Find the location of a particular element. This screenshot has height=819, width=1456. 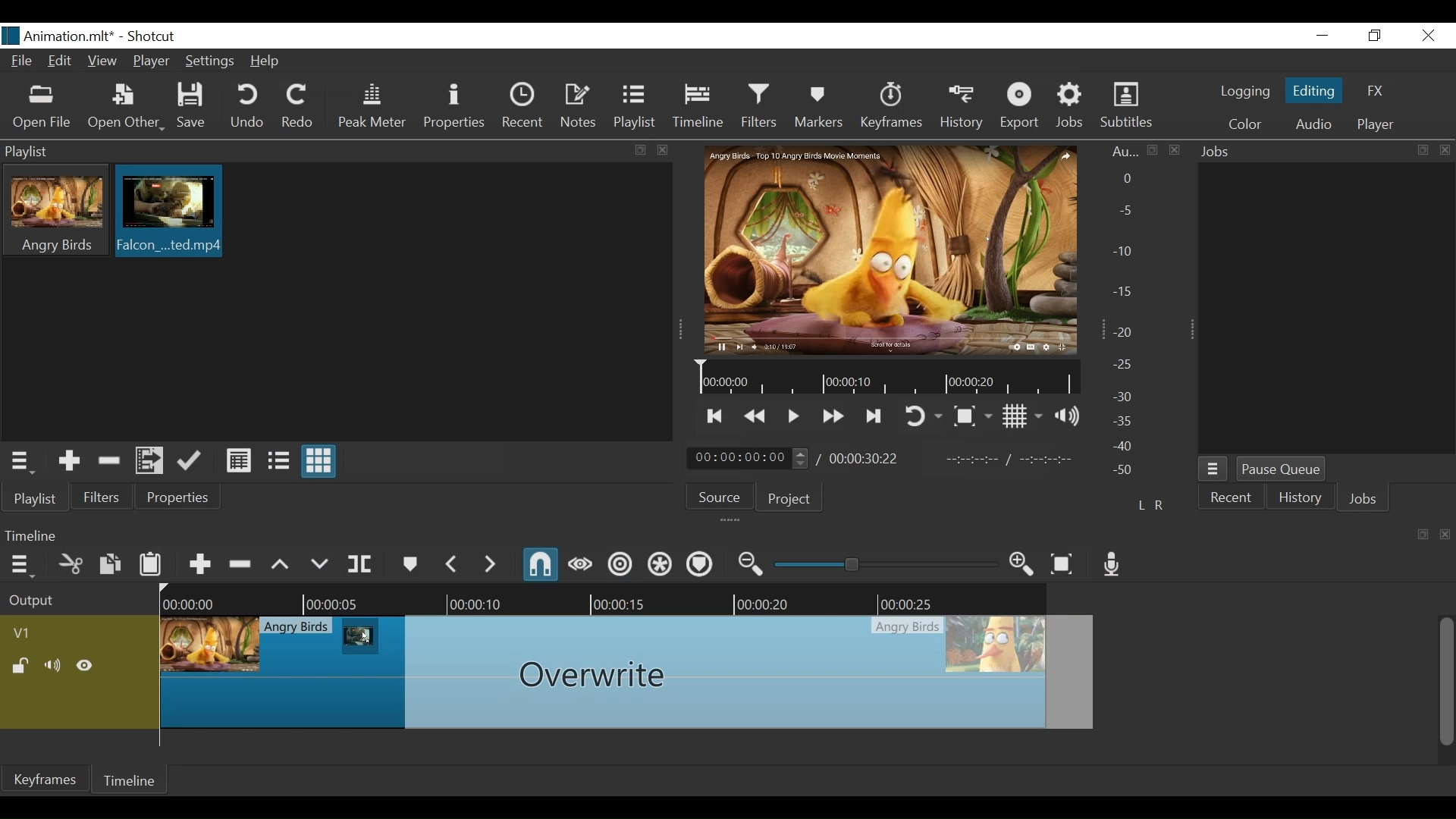

Zoom timeline to fit is located at coordinates (1064, 563).